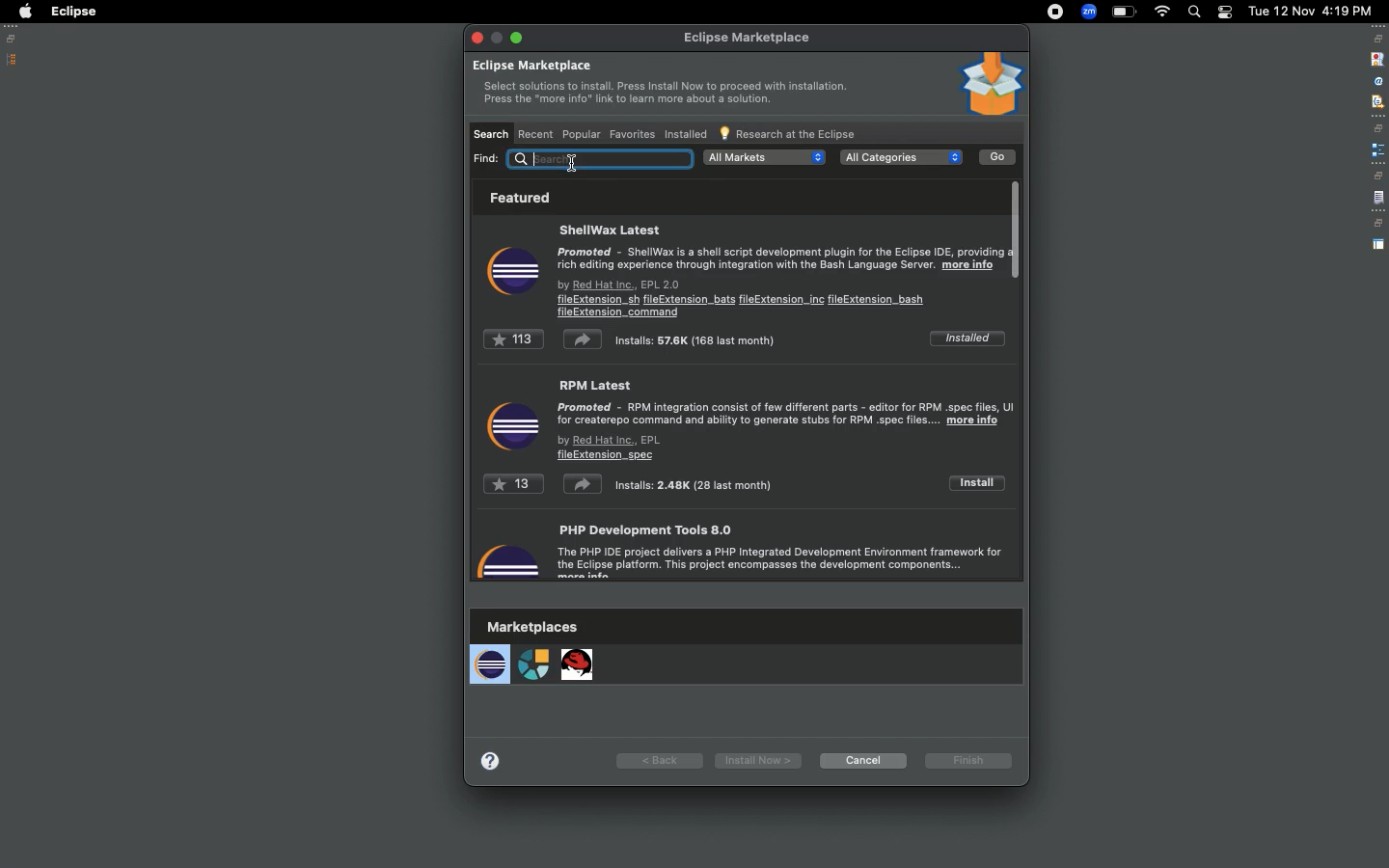 The image size is (1389, 868). Describe the element at coordinates (1376, 101) in the screenshot. I see `filter` at that location.